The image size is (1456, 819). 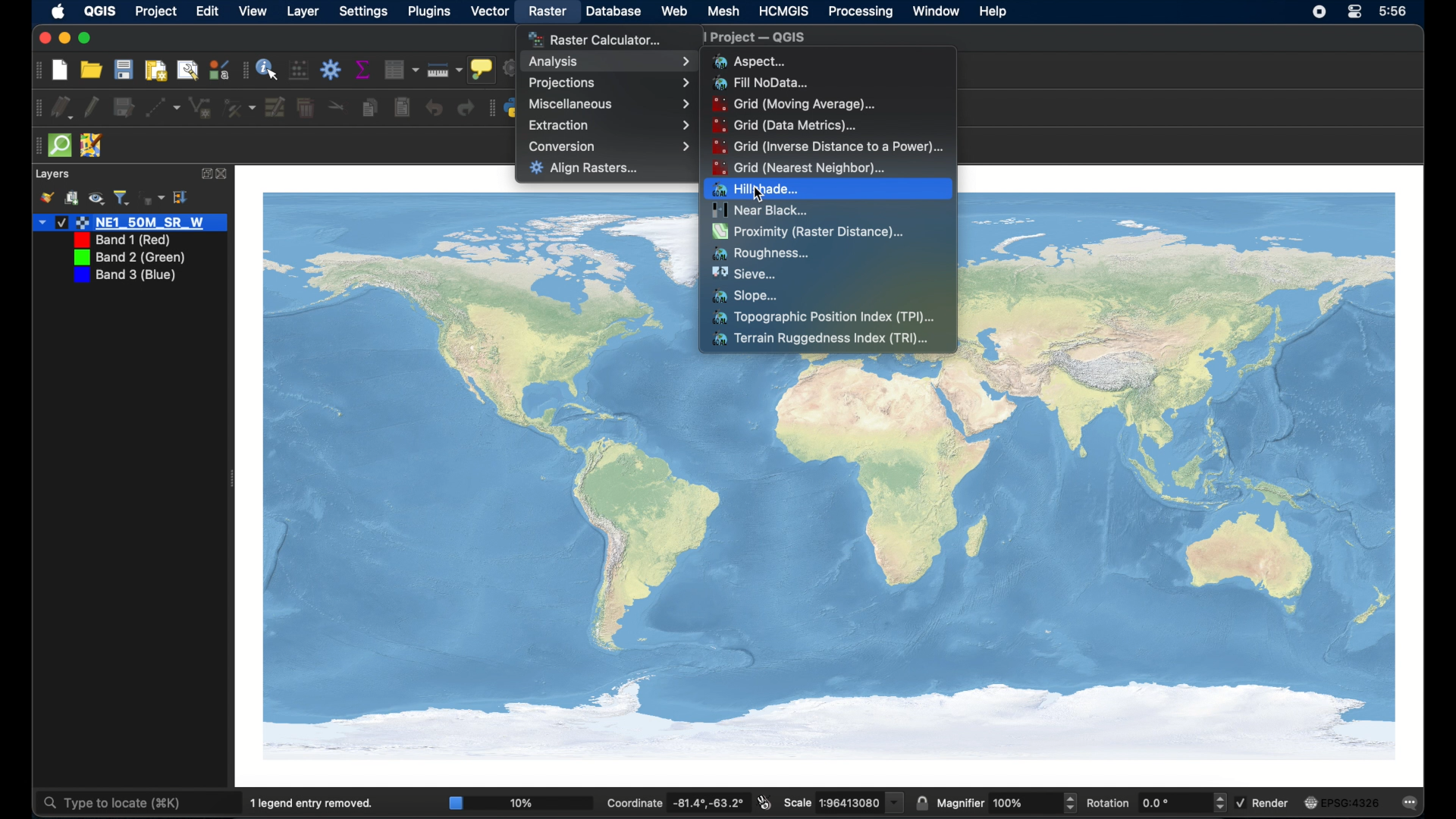 I want to click on plugins, so click(x=428, y=12).